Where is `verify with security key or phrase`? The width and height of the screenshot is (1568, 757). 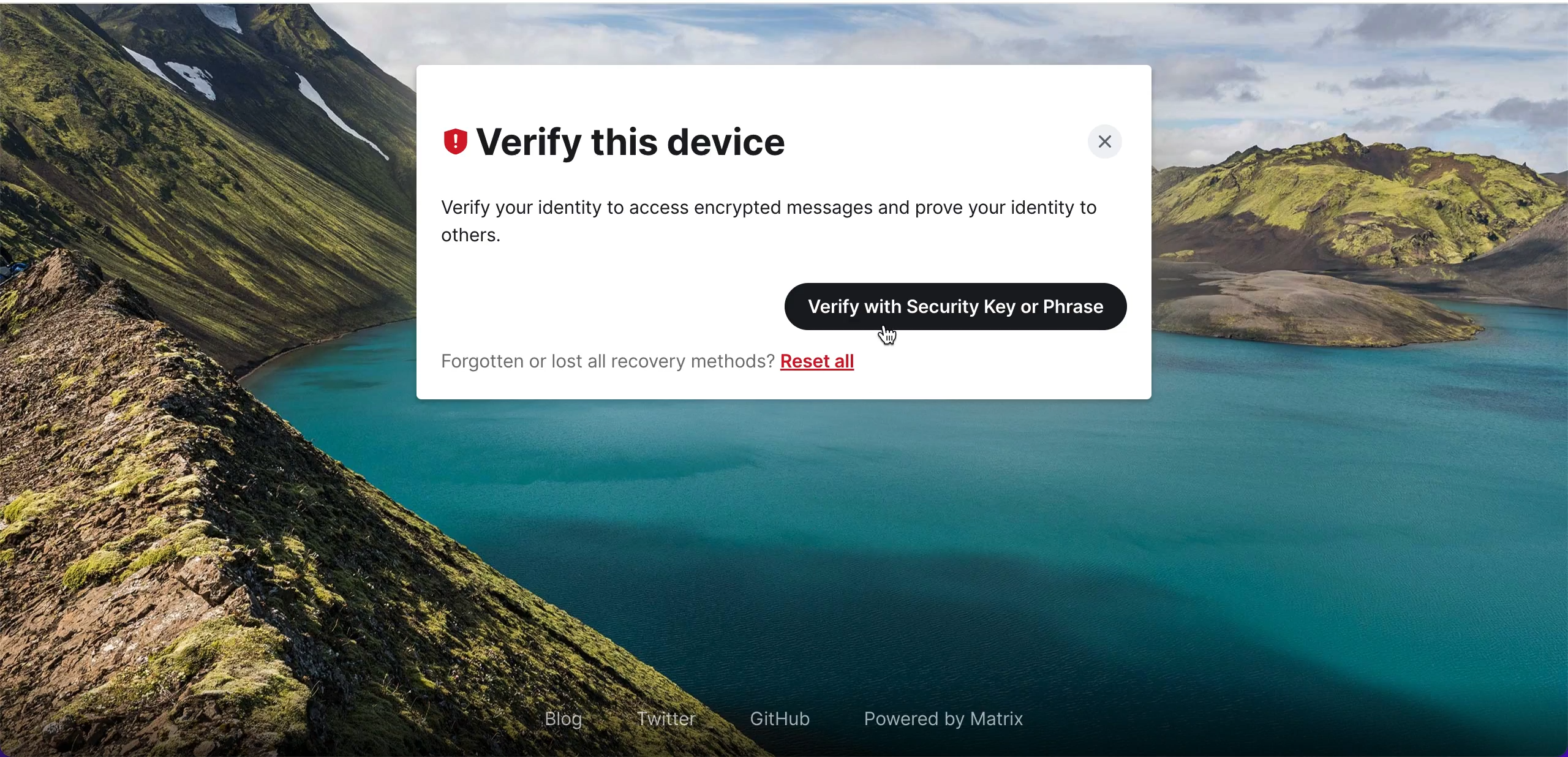 verify with security key or phrase is located at coordinates (962, 301).